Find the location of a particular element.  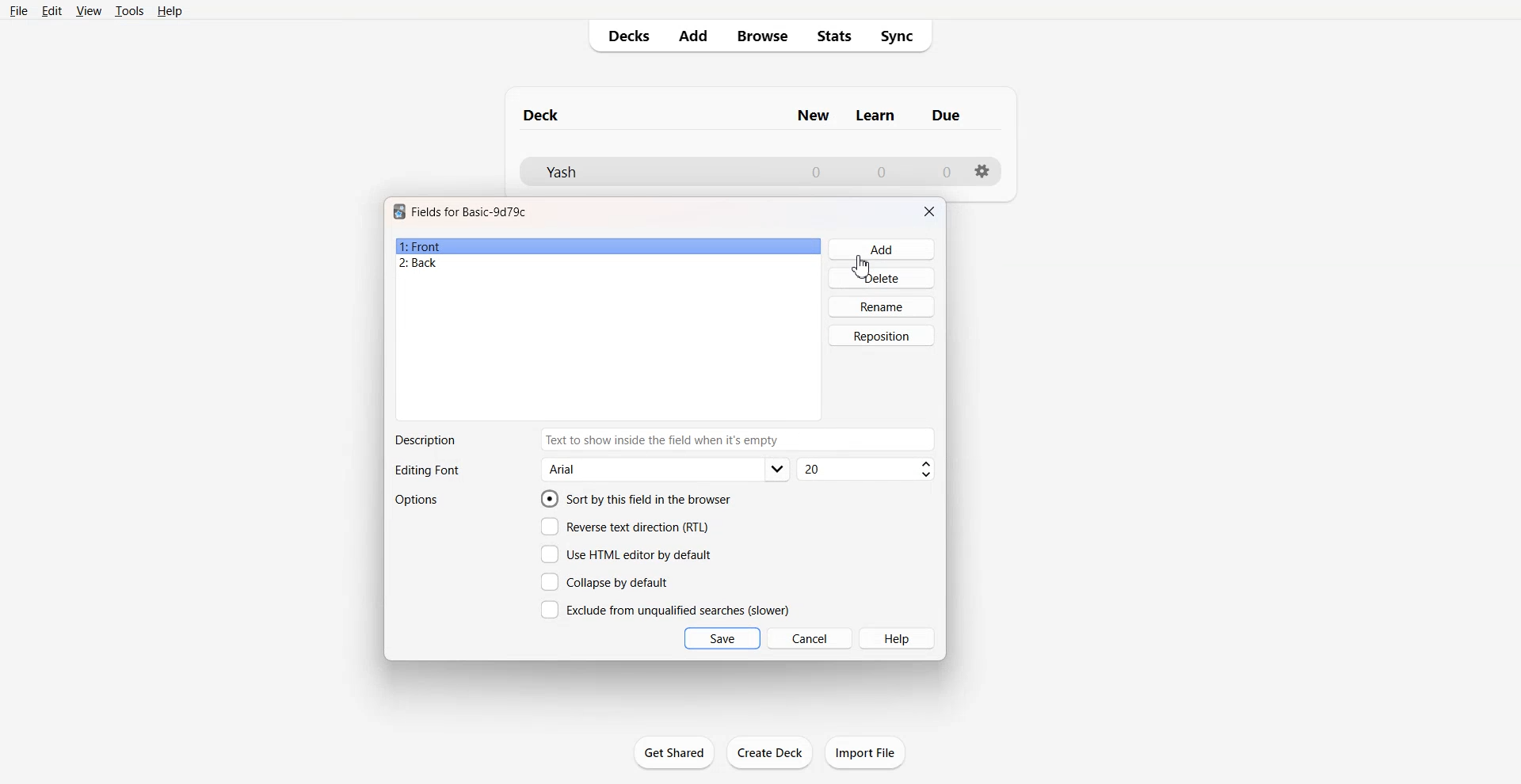

Rename is located at coordinates (882, 306).